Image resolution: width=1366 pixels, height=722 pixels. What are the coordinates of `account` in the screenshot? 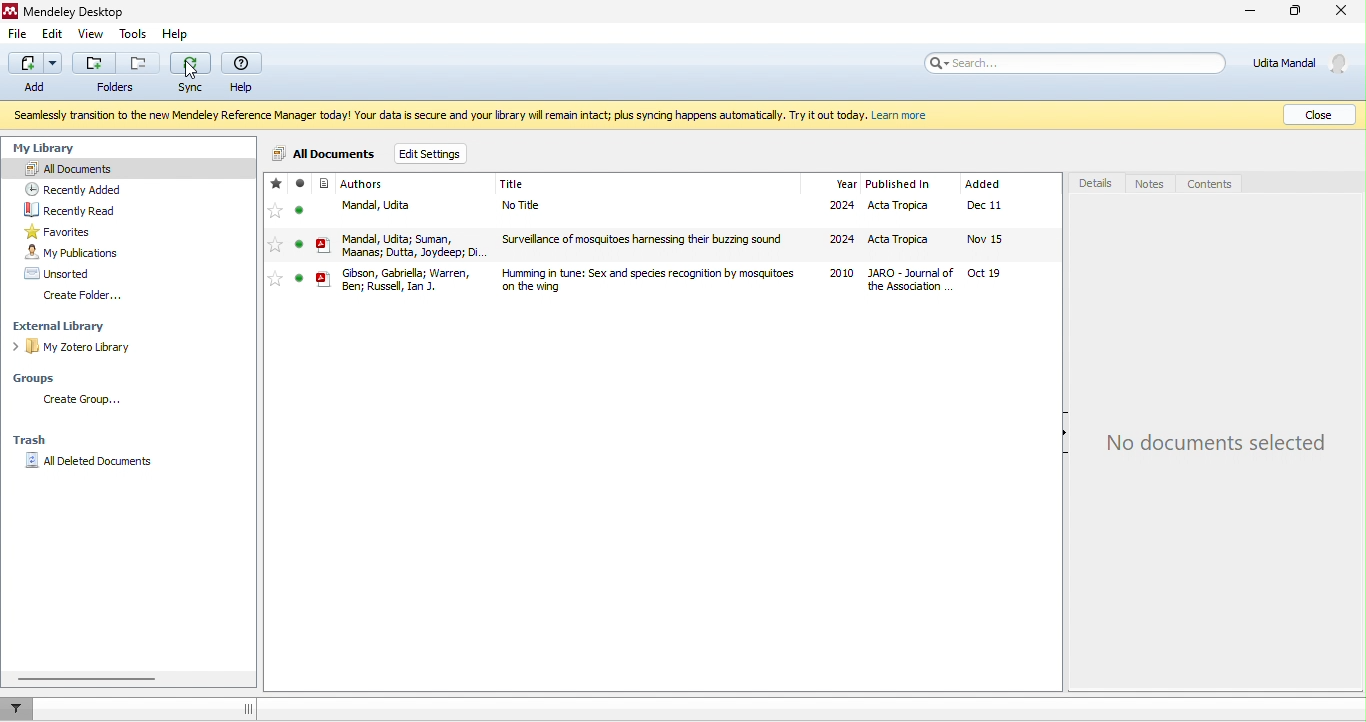 It's located at (1304, 63).